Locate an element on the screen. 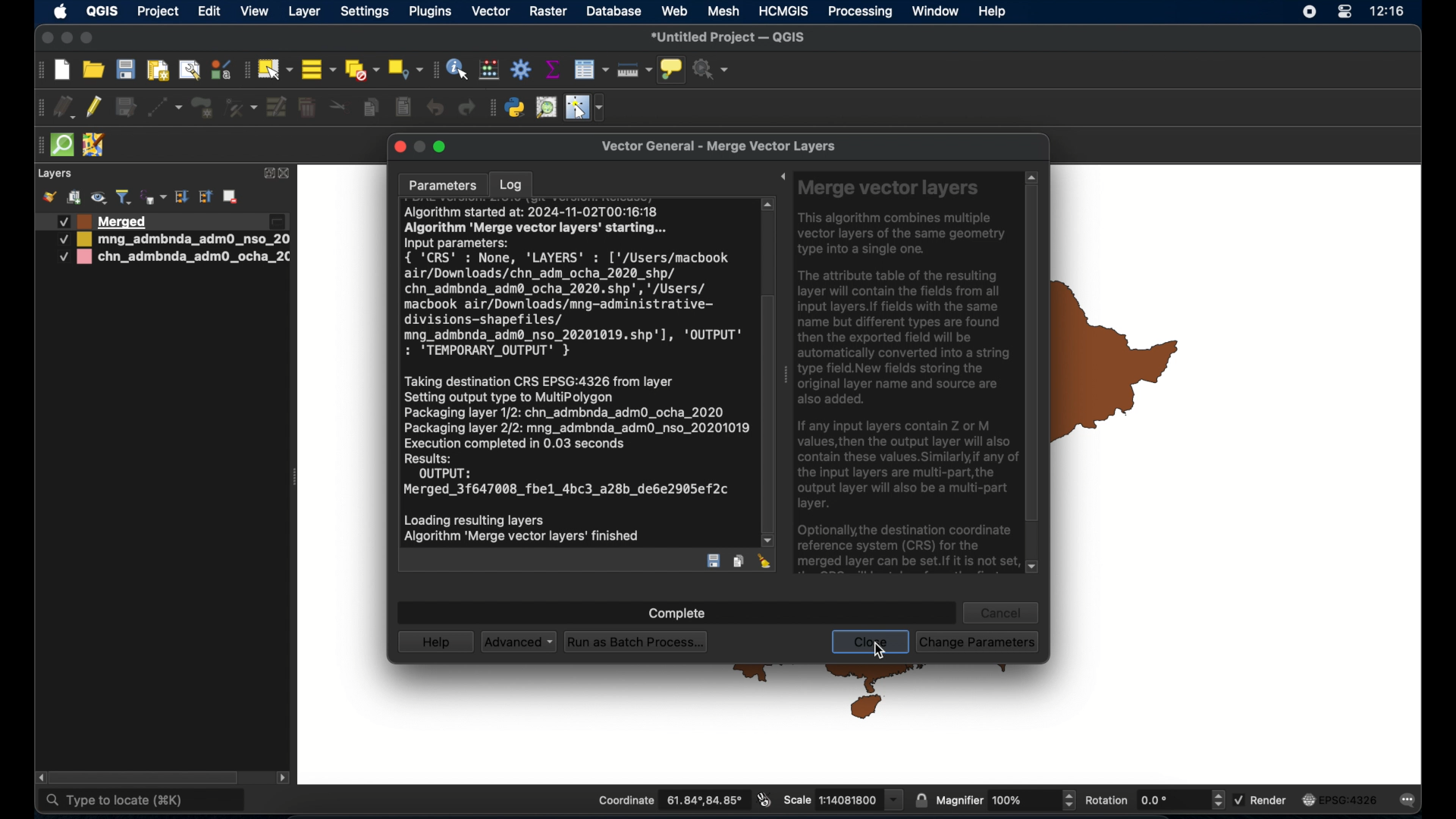 The image size is (1456, 819). vertex tool is located at coordinates (240, 106).